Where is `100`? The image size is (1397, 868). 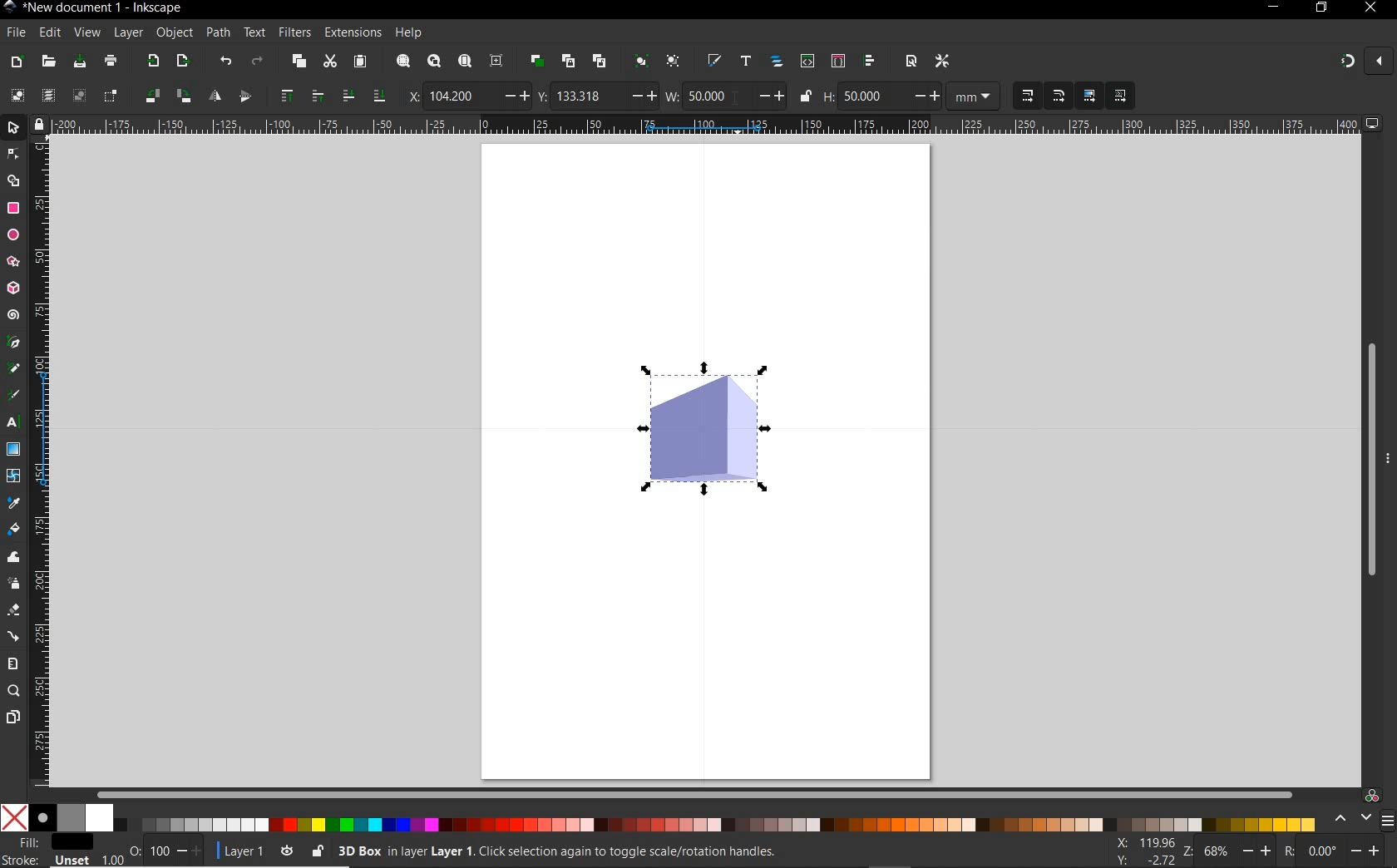 100 is located at coordinates (159, 851).